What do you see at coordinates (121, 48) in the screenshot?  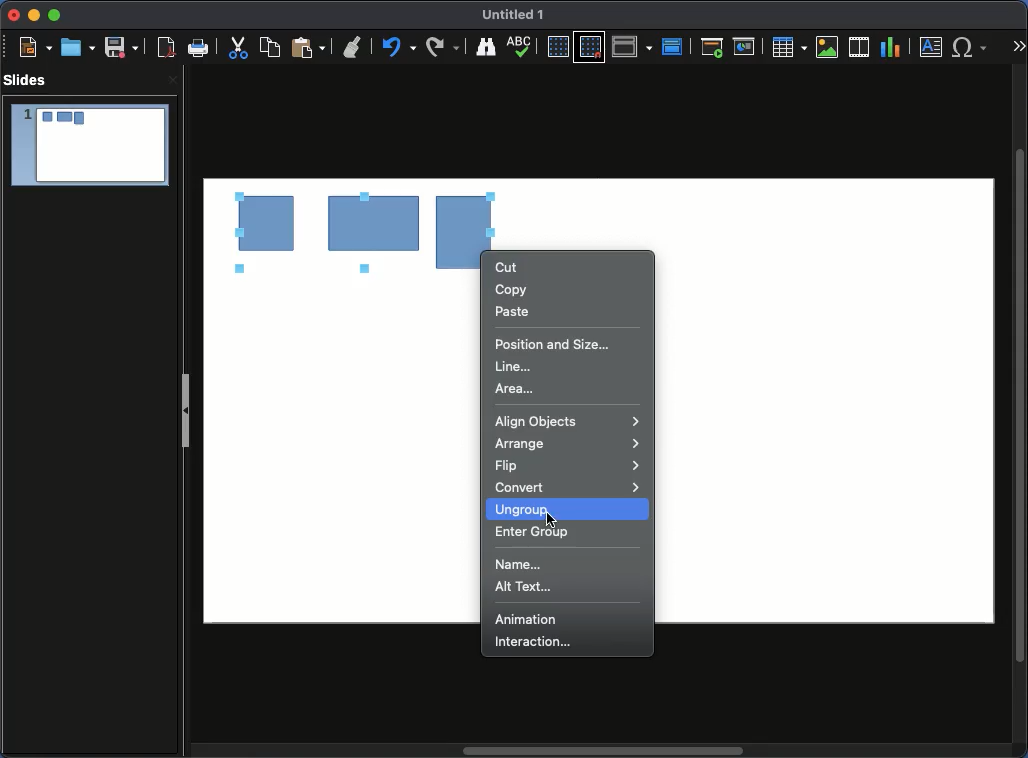 I see `Save` at bounding box center [121, 48].